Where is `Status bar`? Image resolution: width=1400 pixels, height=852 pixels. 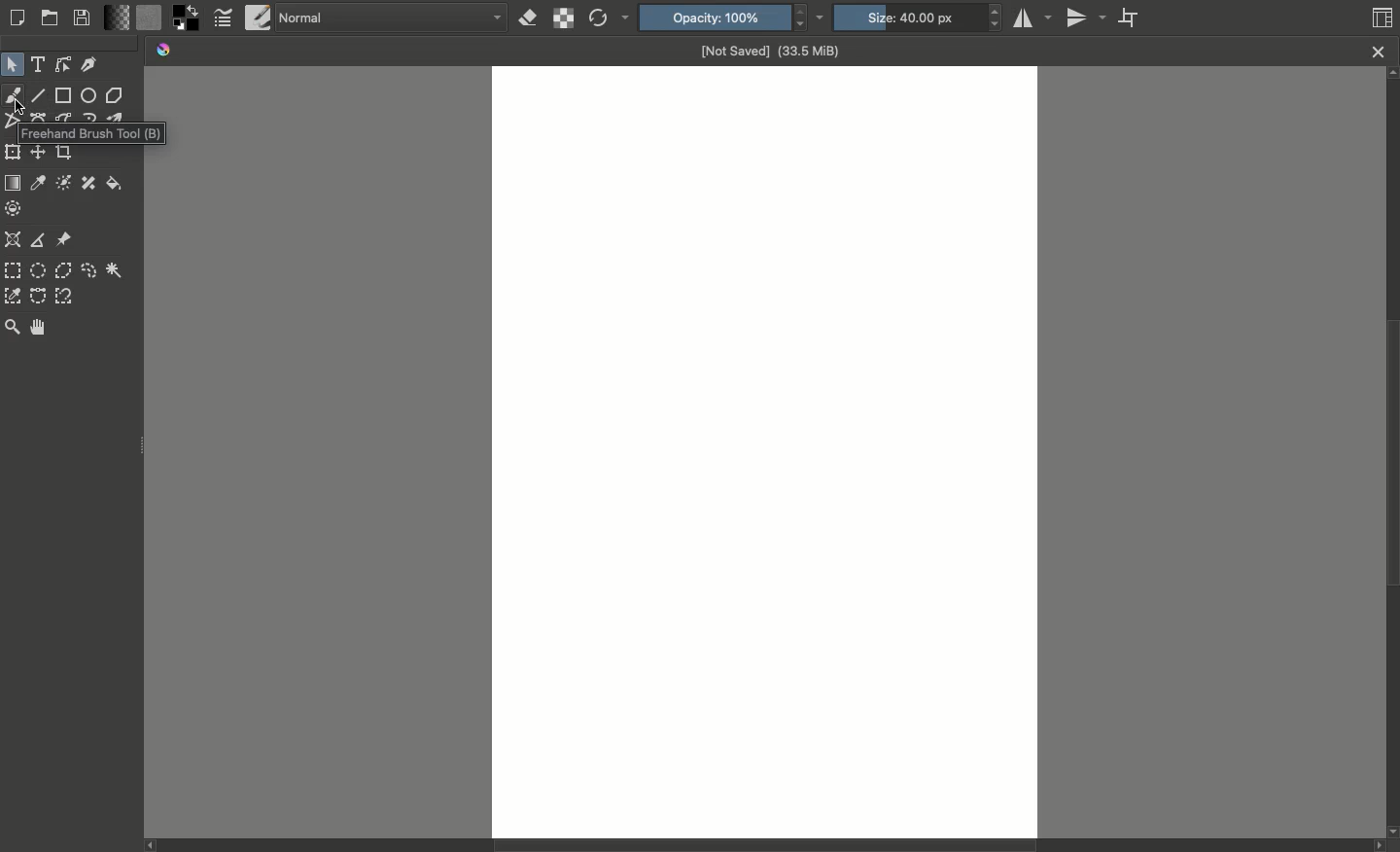
Status bar is located at coordinates (751, 847).